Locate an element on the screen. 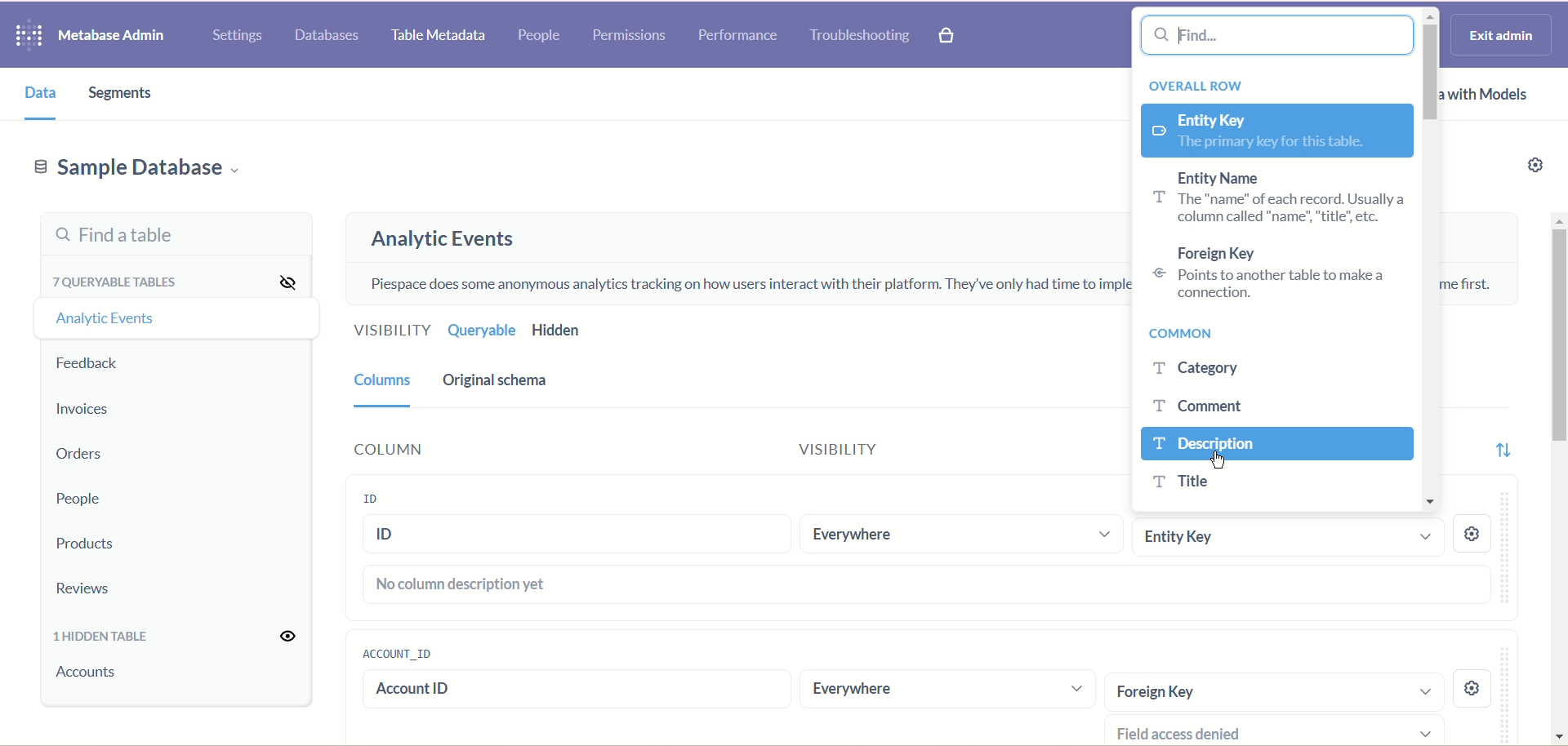 Image resolution: width=1568 pixels, height=746 pixels. segments is located at coordinates (123, 93).